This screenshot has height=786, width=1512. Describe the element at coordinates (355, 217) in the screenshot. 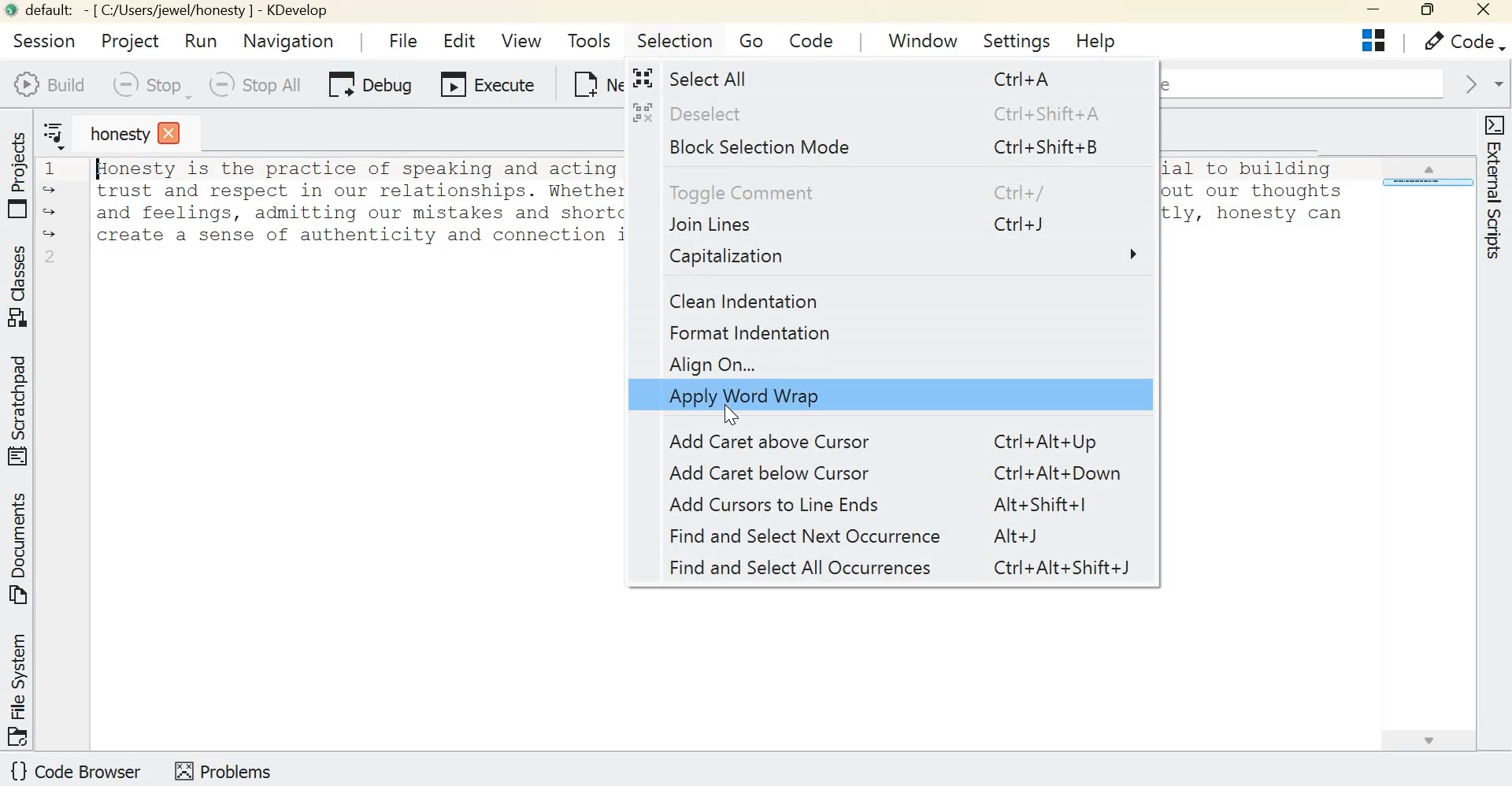

I see `Text - Honesty is the practice of speaking and acting truthfully and with integrity, and it is essential to building trust and respect in our relationships. Whether it's being honest with ourselves and others about our thoughts and feelings, adnitting our mistakes and shortcomings, or communicating clearly and transparently, honesty can create a sense of authenticity and connection in our interactions with others.` at that location.